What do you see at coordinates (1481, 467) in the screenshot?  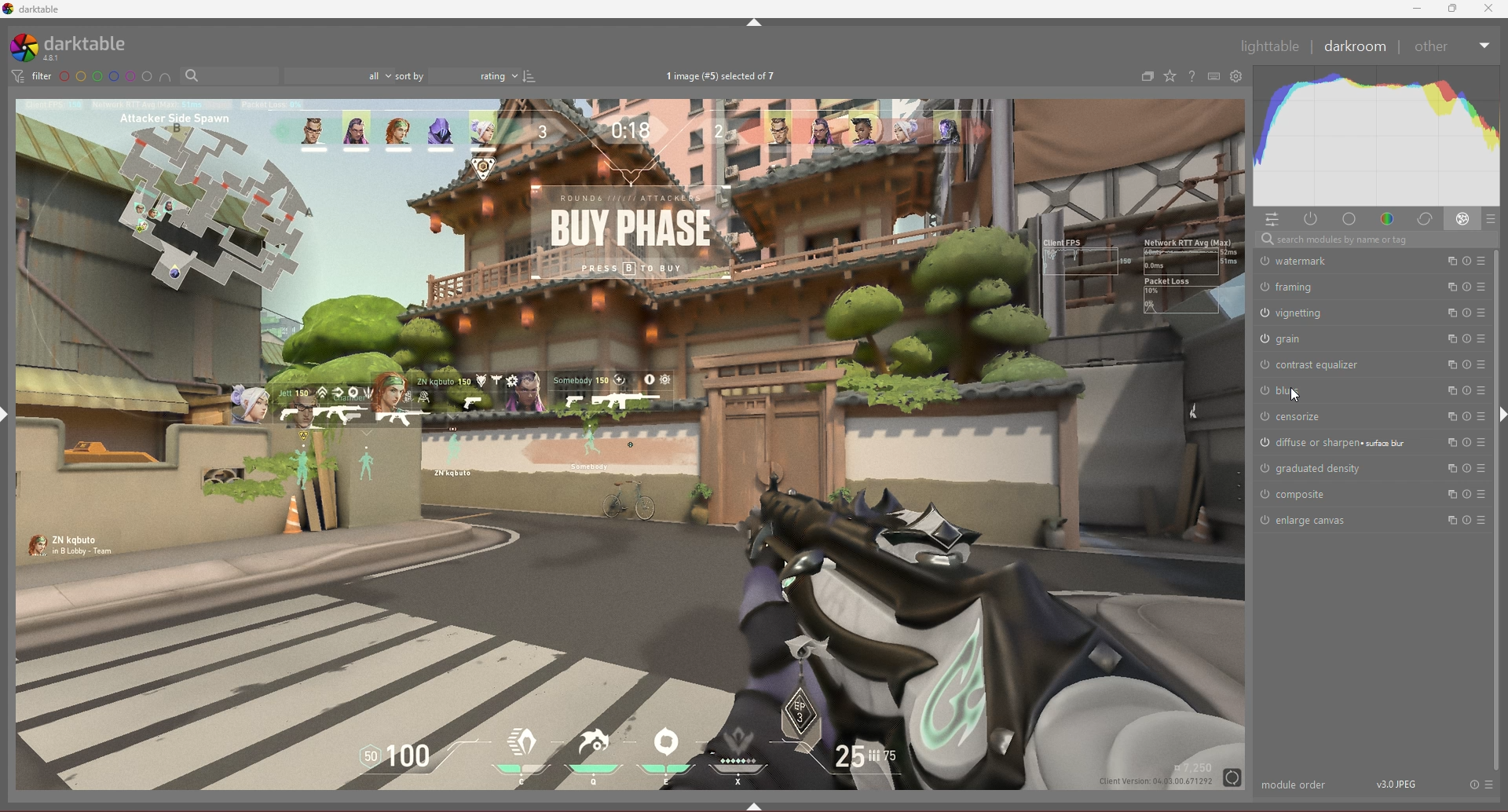 I see `presets` at bounding box center [1481, 467].